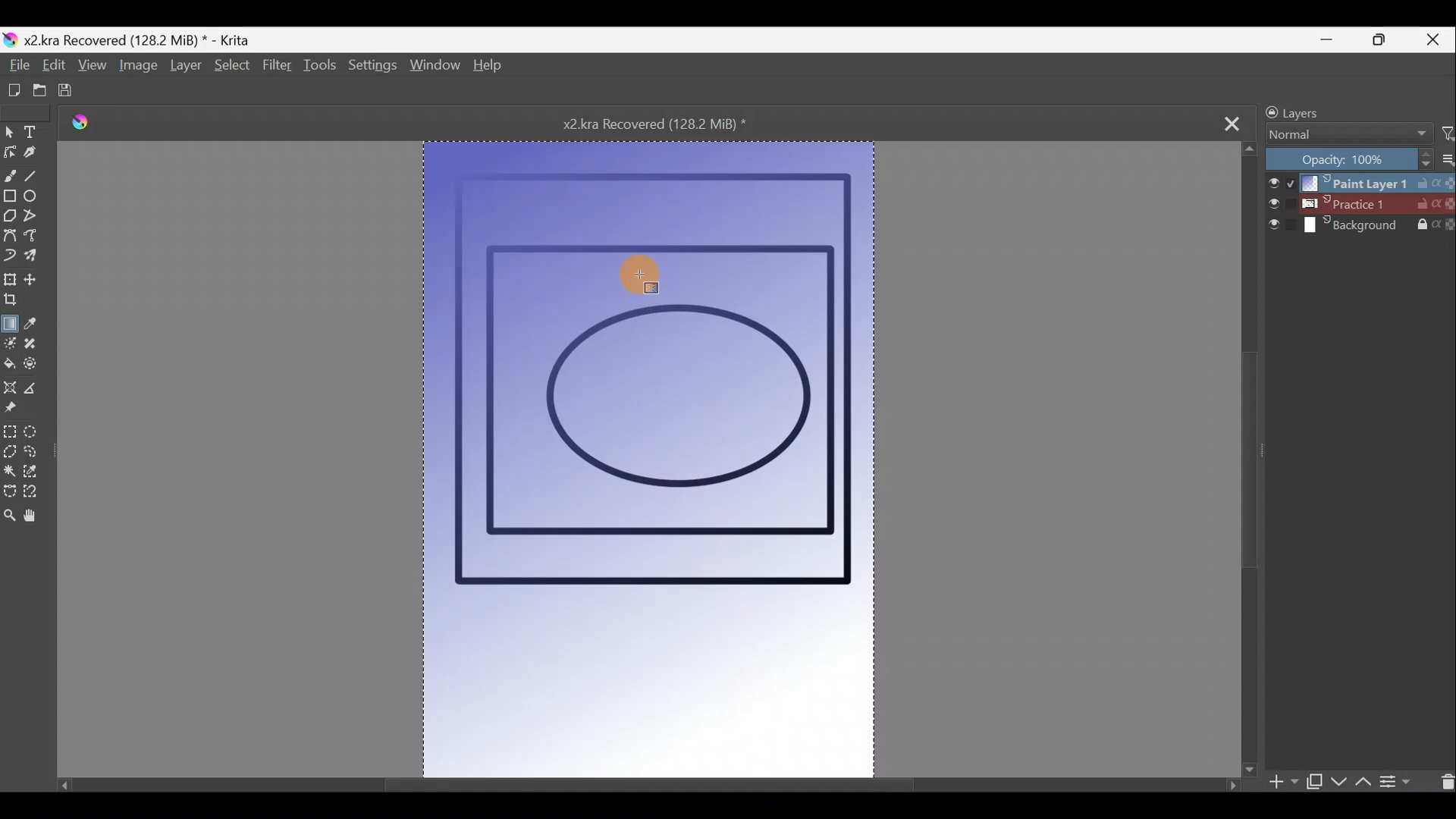  Describe the element at coordinates (35, 434) in the screenshot. I see `Elliptical selection tool` at that location.